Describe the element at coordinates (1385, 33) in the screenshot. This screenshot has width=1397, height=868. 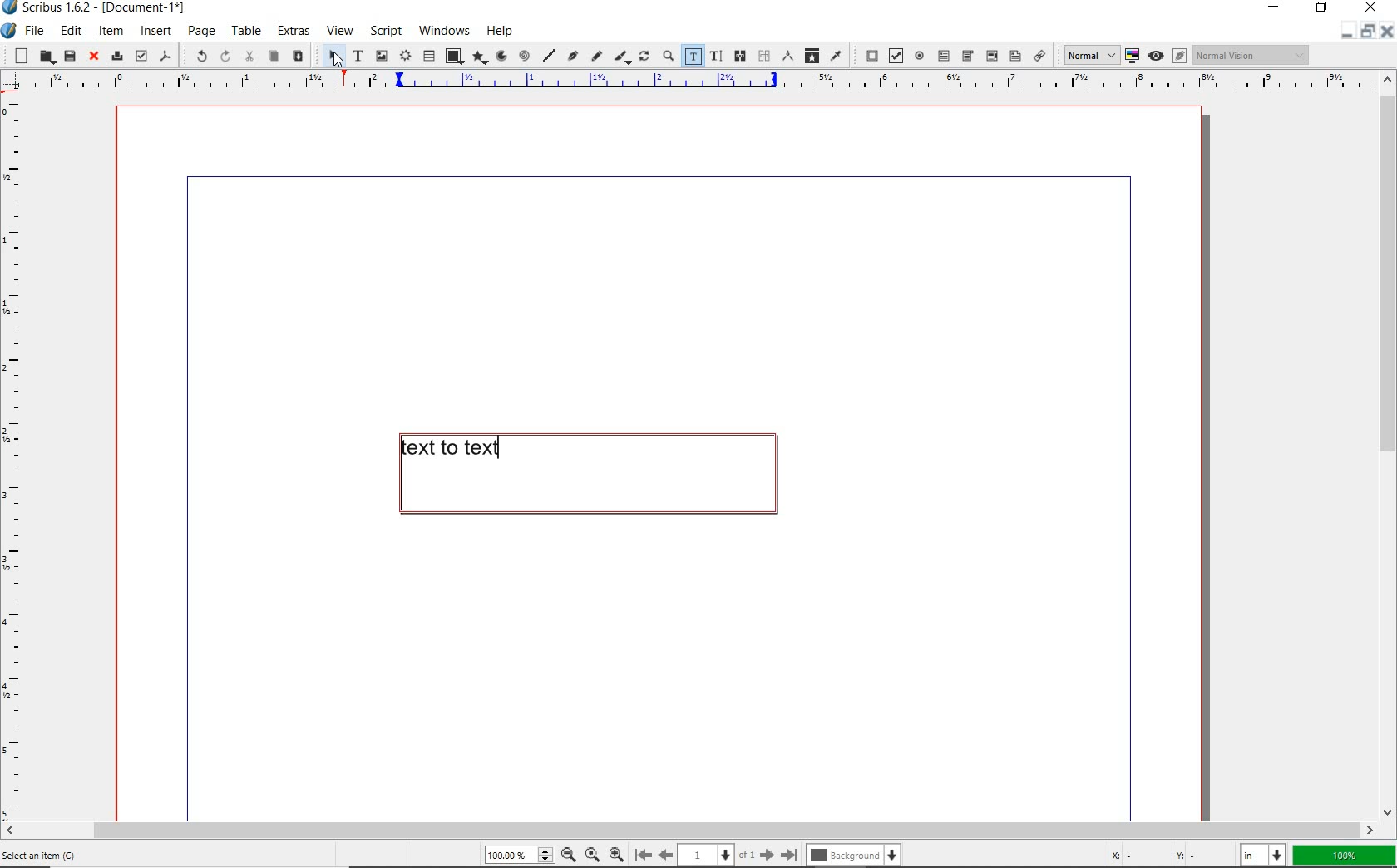
I see `Close` at that location.